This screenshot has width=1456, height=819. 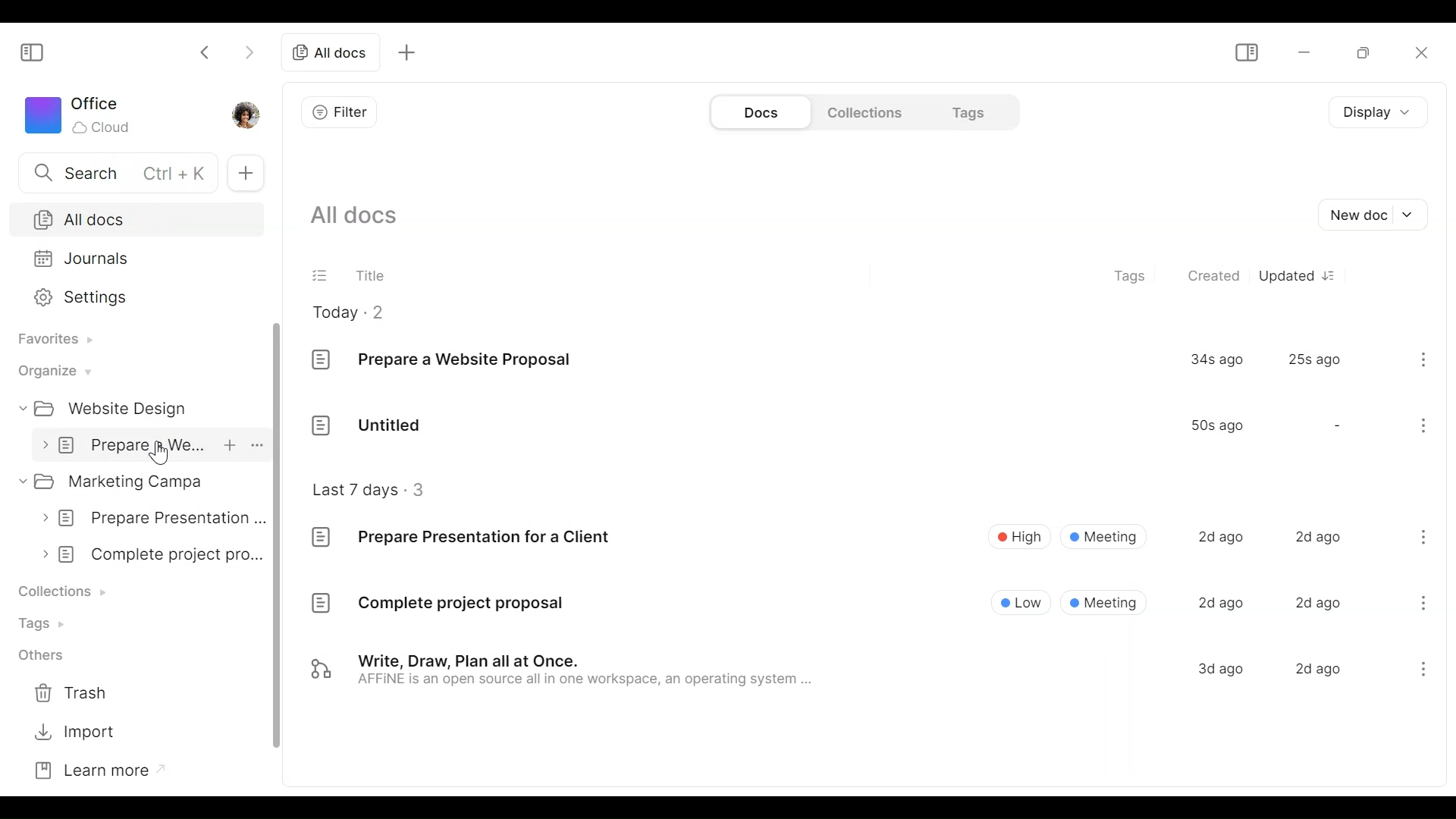 What do you see at coordinates (51, 342) in the screenshot?
I see `Favorites` at bounding box center [51, 342].